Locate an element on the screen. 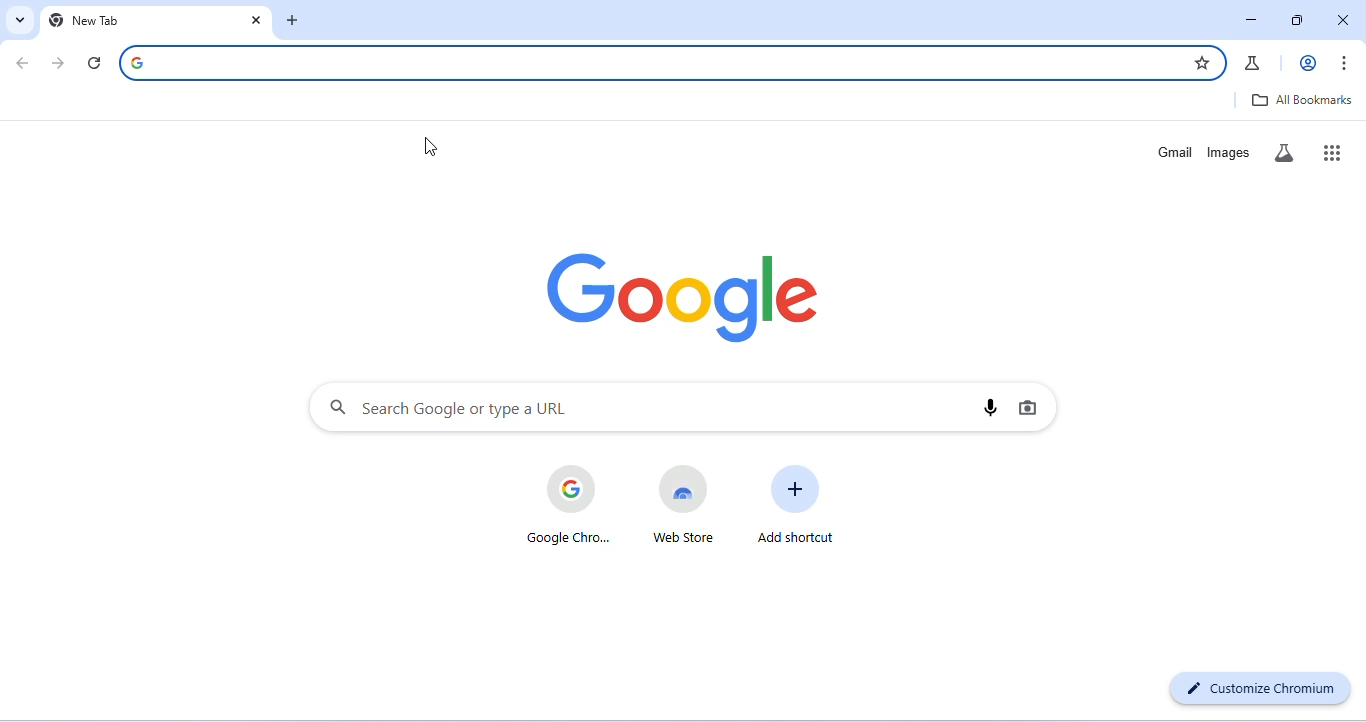 This screenshot has width=1366, height=722. all bookmarks is located at coordinates (1299, 99).